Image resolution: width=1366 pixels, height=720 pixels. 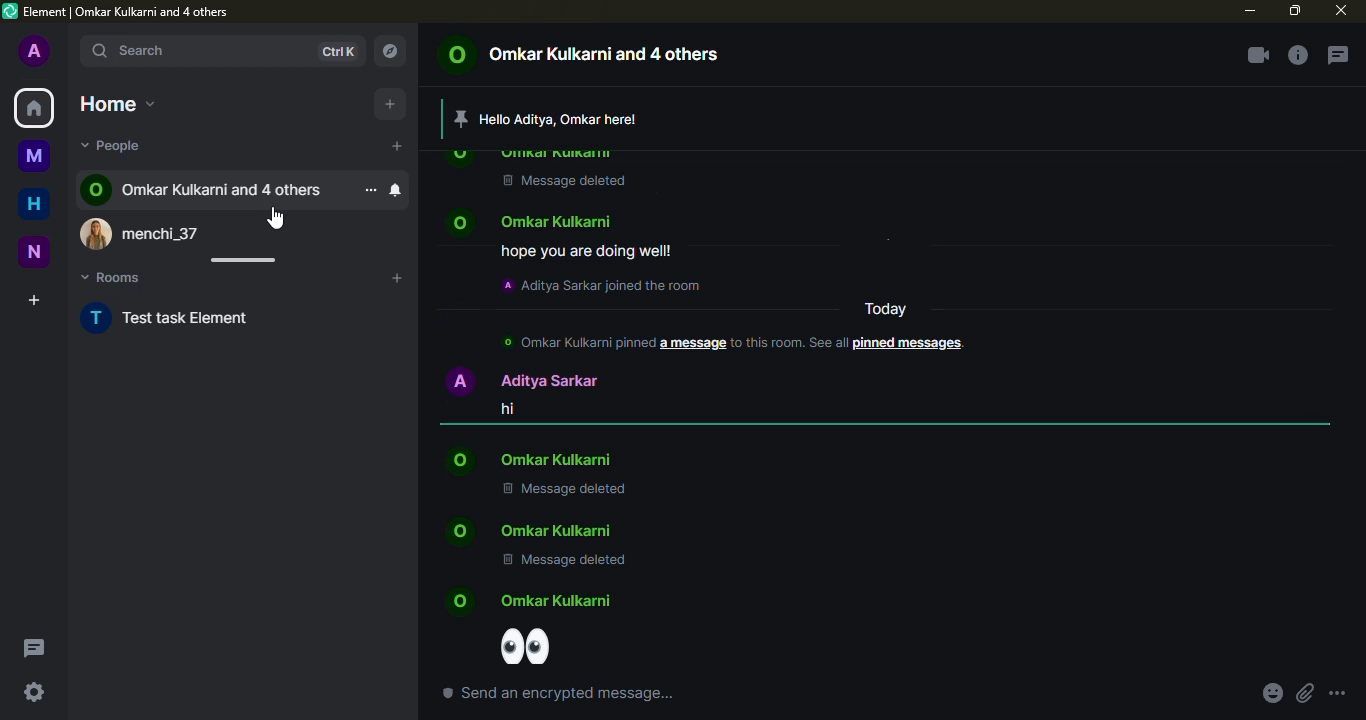 What do you see at coordinates (1338, 54) in the screenshot?
I see `threads` at bounding box center [1338, 54].